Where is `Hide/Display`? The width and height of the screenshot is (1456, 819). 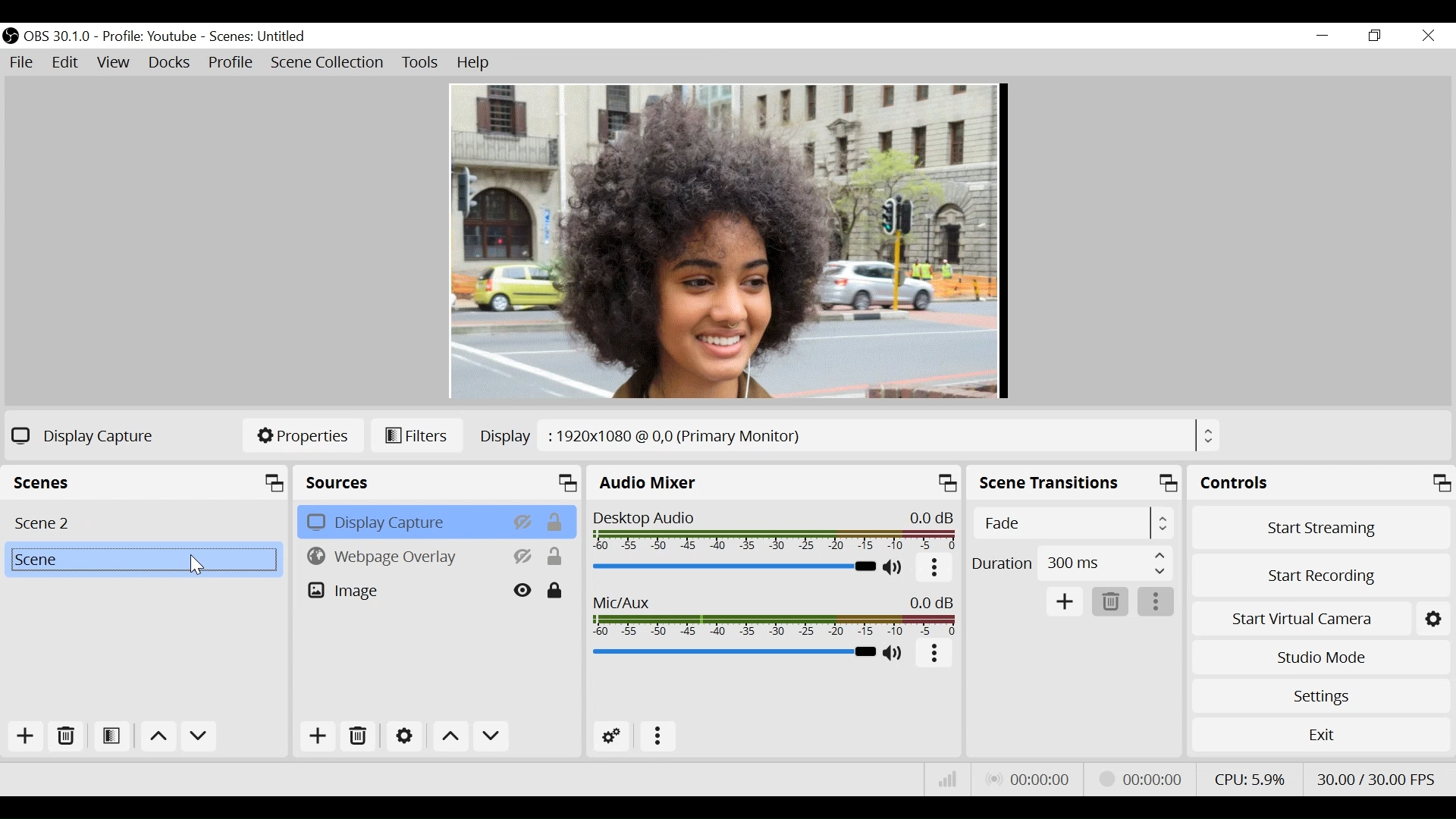
Hide/Display is located at coordinates (524, 590).